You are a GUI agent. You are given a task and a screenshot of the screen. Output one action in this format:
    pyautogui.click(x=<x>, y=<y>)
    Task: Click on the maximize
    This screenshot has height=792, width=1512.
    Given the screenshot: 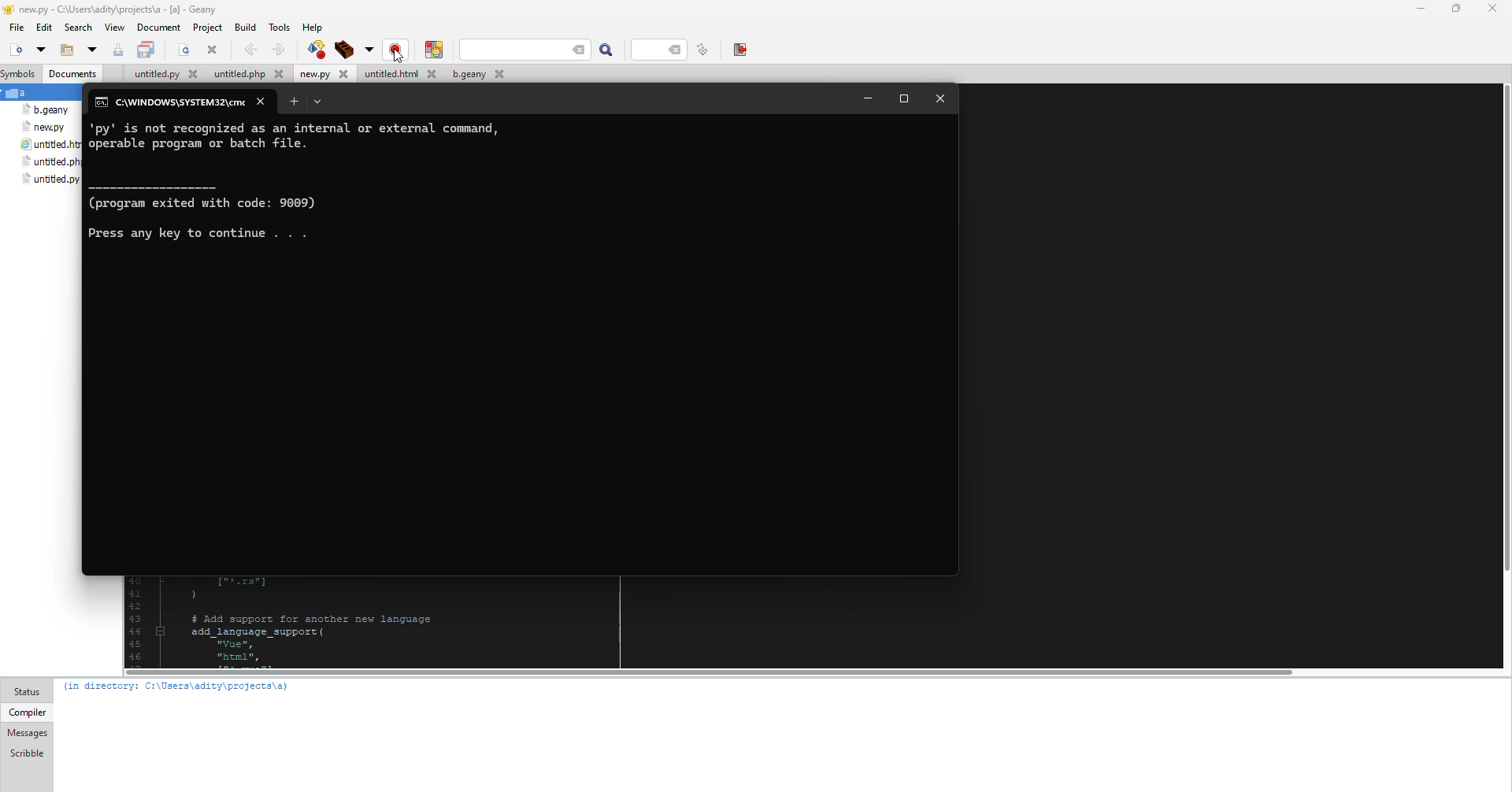 What is the action you would take?
    pyautogui.click(x=905, y=98)
    